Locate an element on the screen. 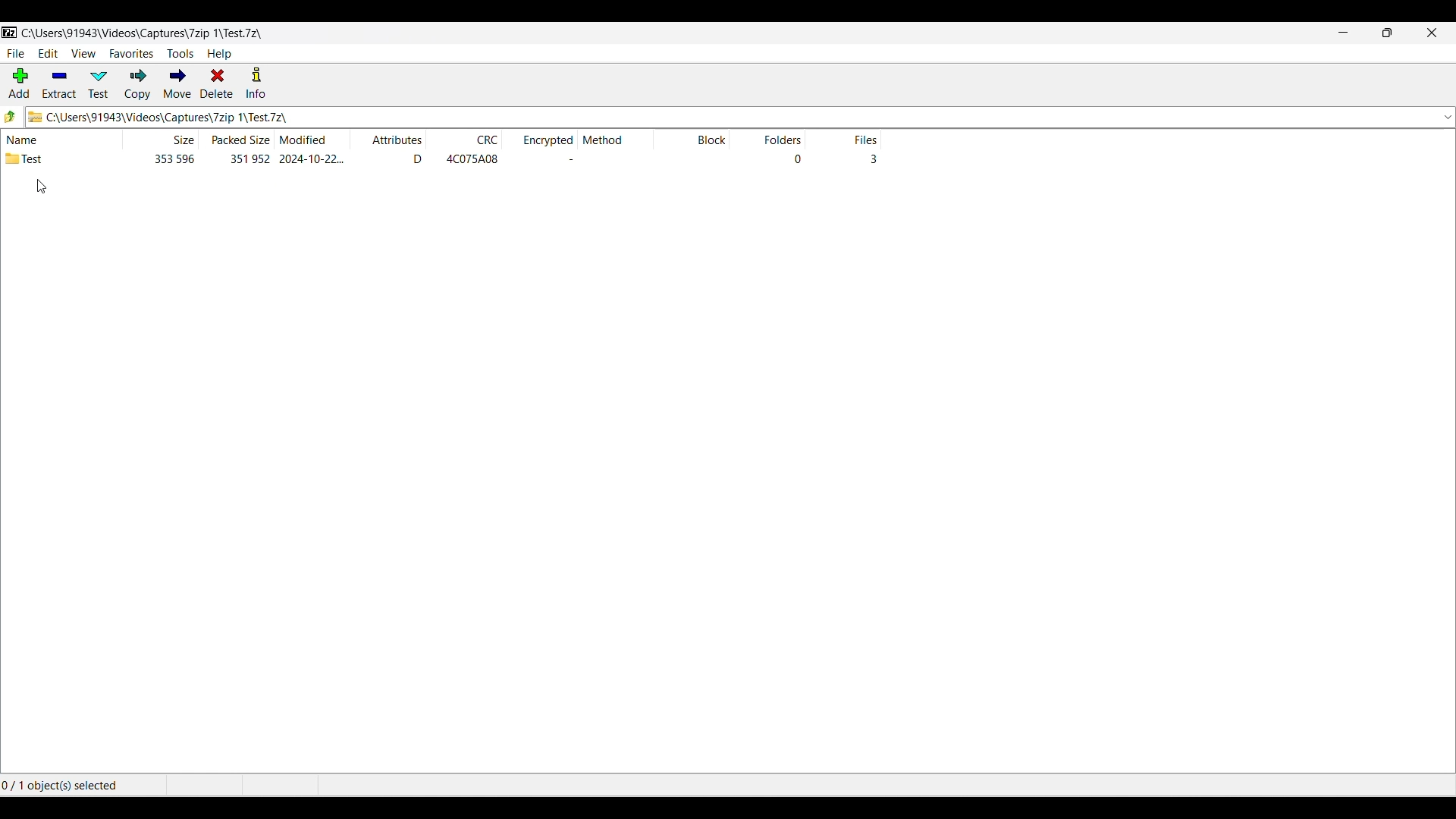 This screenshot has height=819, width=1456. Name column is located at coordinates (59, 139).